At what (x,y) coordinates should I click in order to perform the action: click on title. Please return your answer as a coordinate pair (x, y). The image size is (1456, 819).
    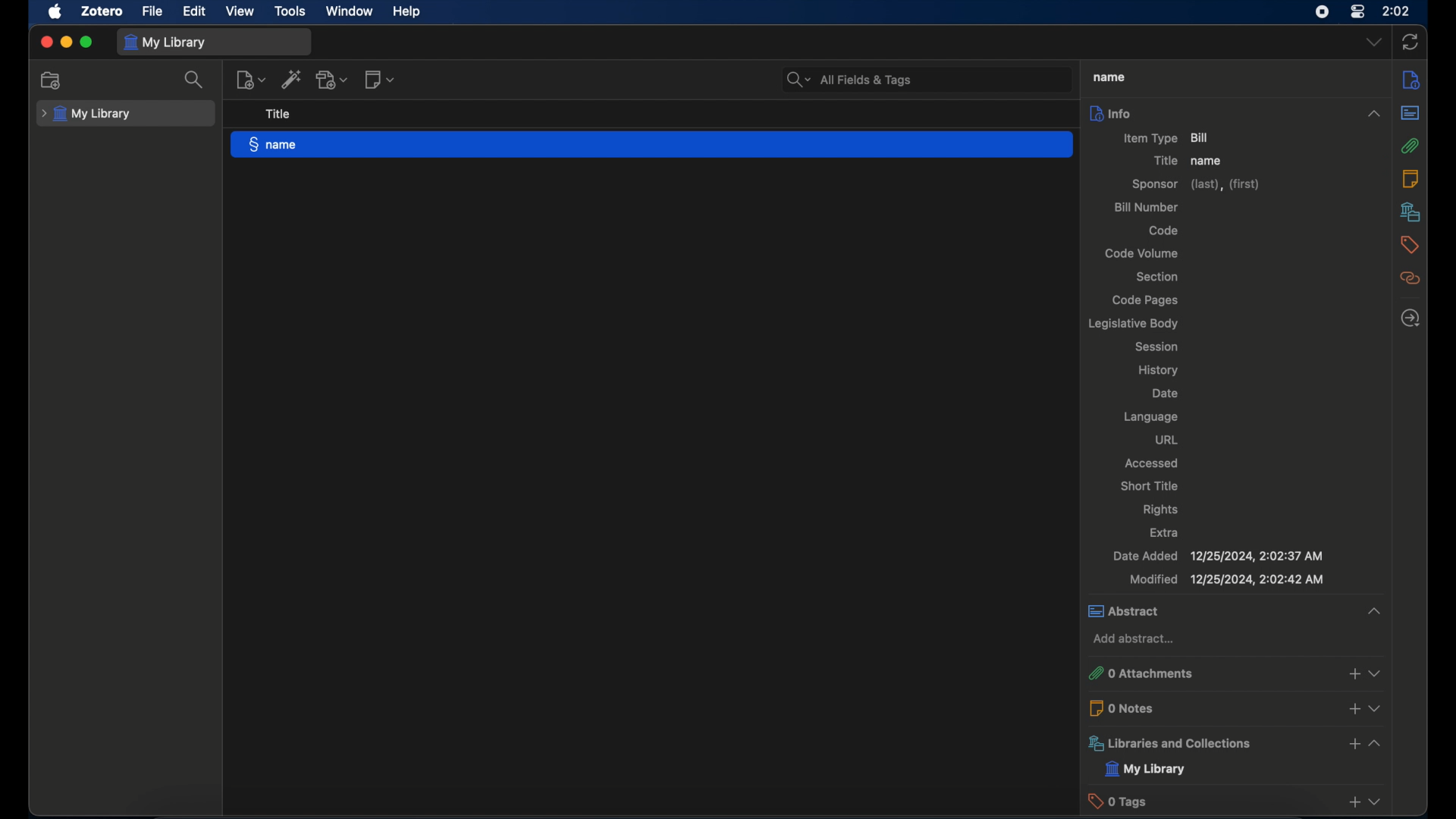
    Looking at the image, I should click on (1106, 77).